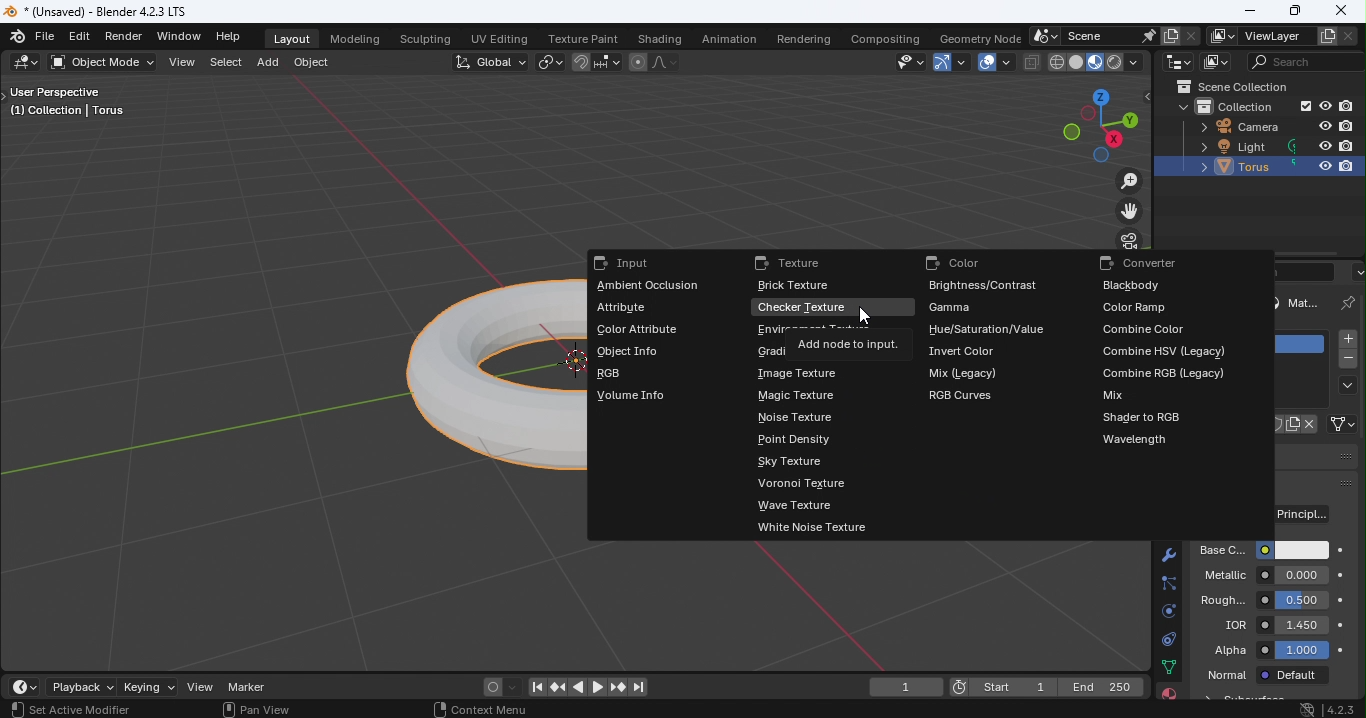 Image resolution: width=1366 pixels, height=718 pixels. What do you see at coordinates (628, 396) in the screenshot?
I see `Volume info` at bounding box center [628, 396].